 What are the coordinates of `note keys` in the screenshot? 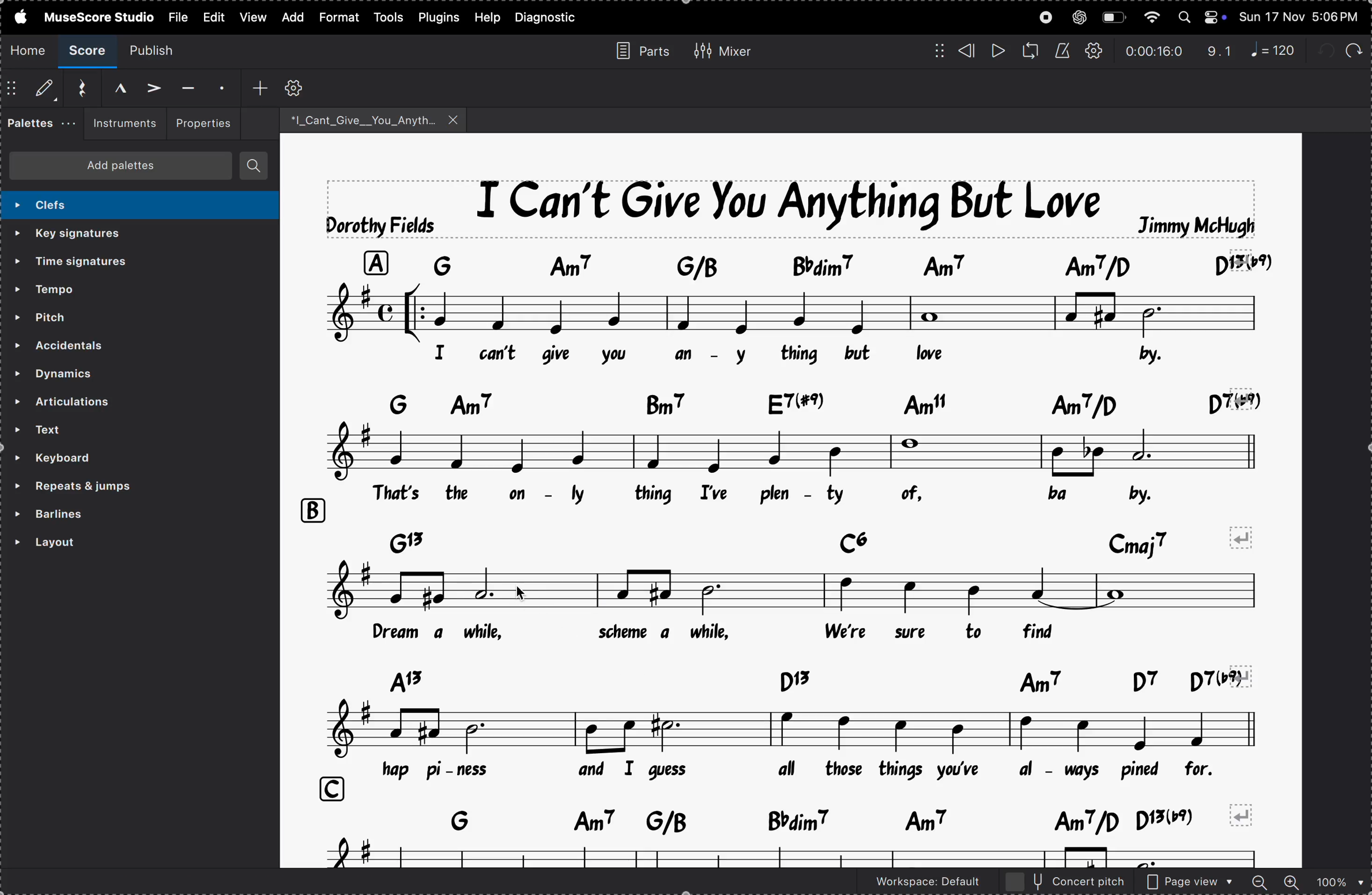 It's located at (805, 264).